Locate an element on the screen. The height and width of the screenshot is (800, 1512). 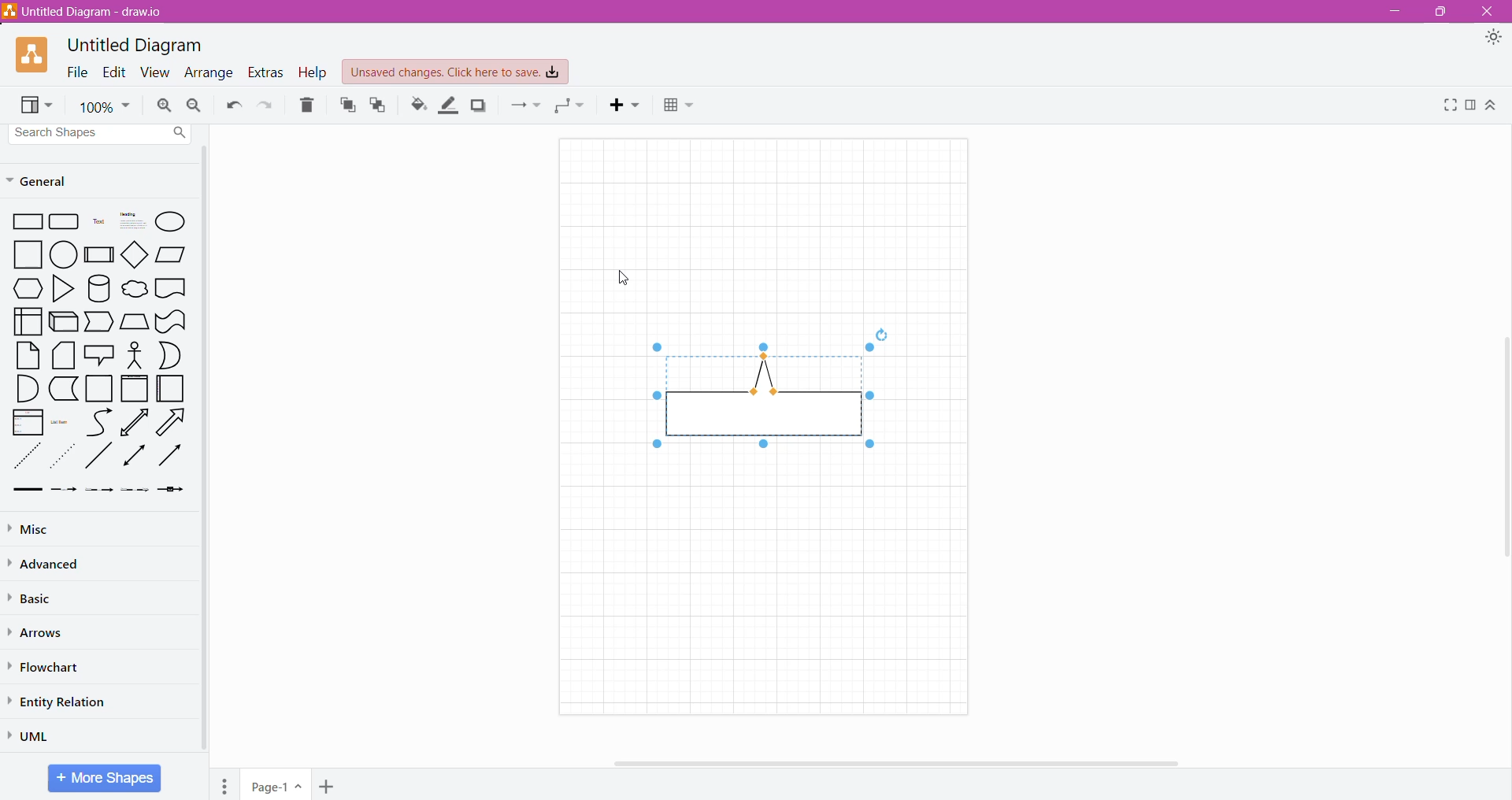
list item is located at coordinates (63, 421).